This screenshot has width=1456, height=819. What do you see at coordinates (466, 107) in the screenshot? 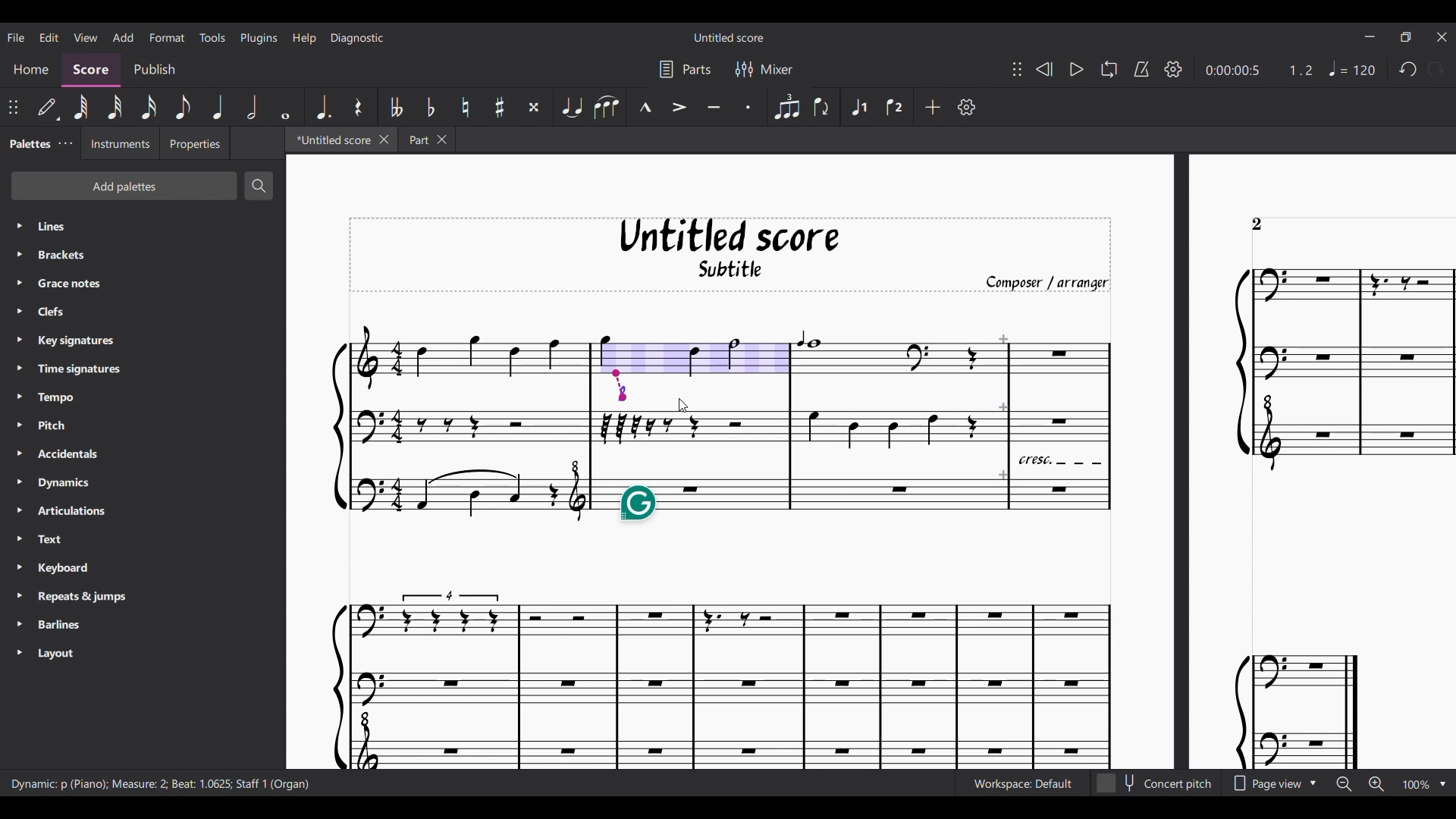
I see `Toggle natural` at bounding box center [466, 107].